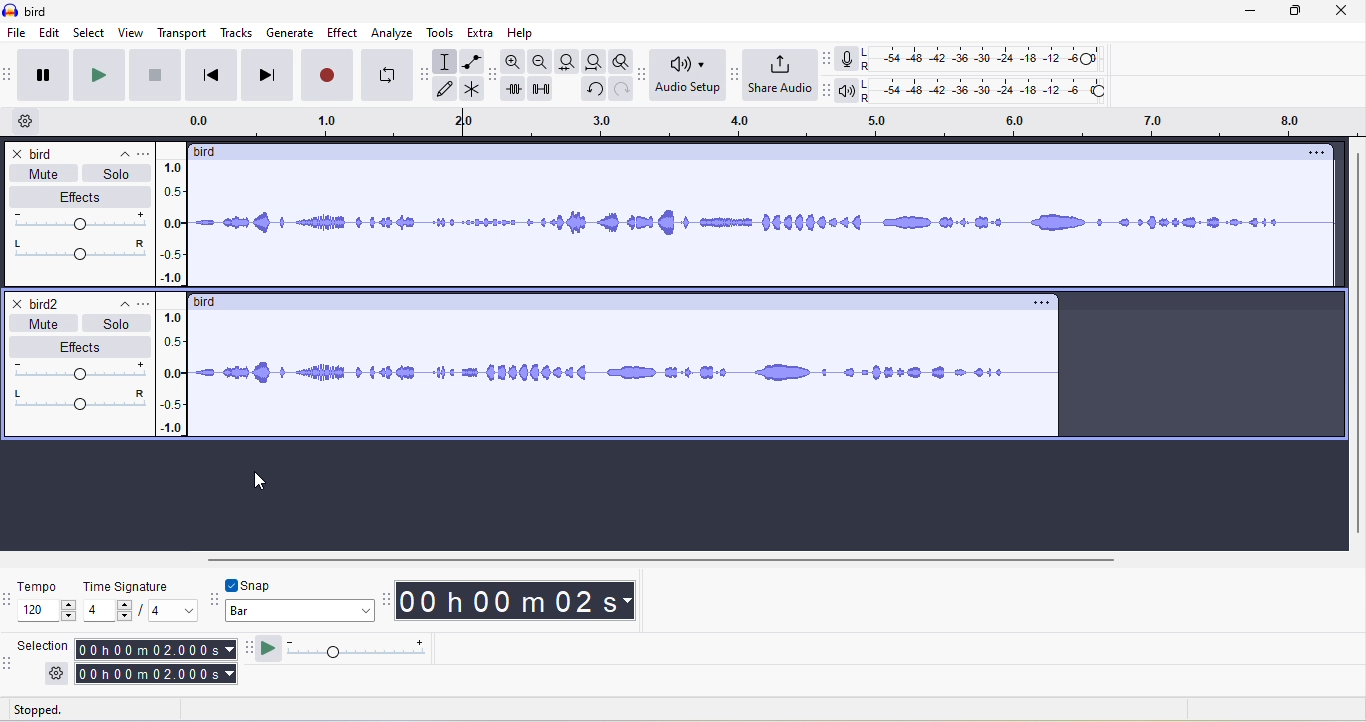  I want to click on zoom toggle, so click(618, 60).